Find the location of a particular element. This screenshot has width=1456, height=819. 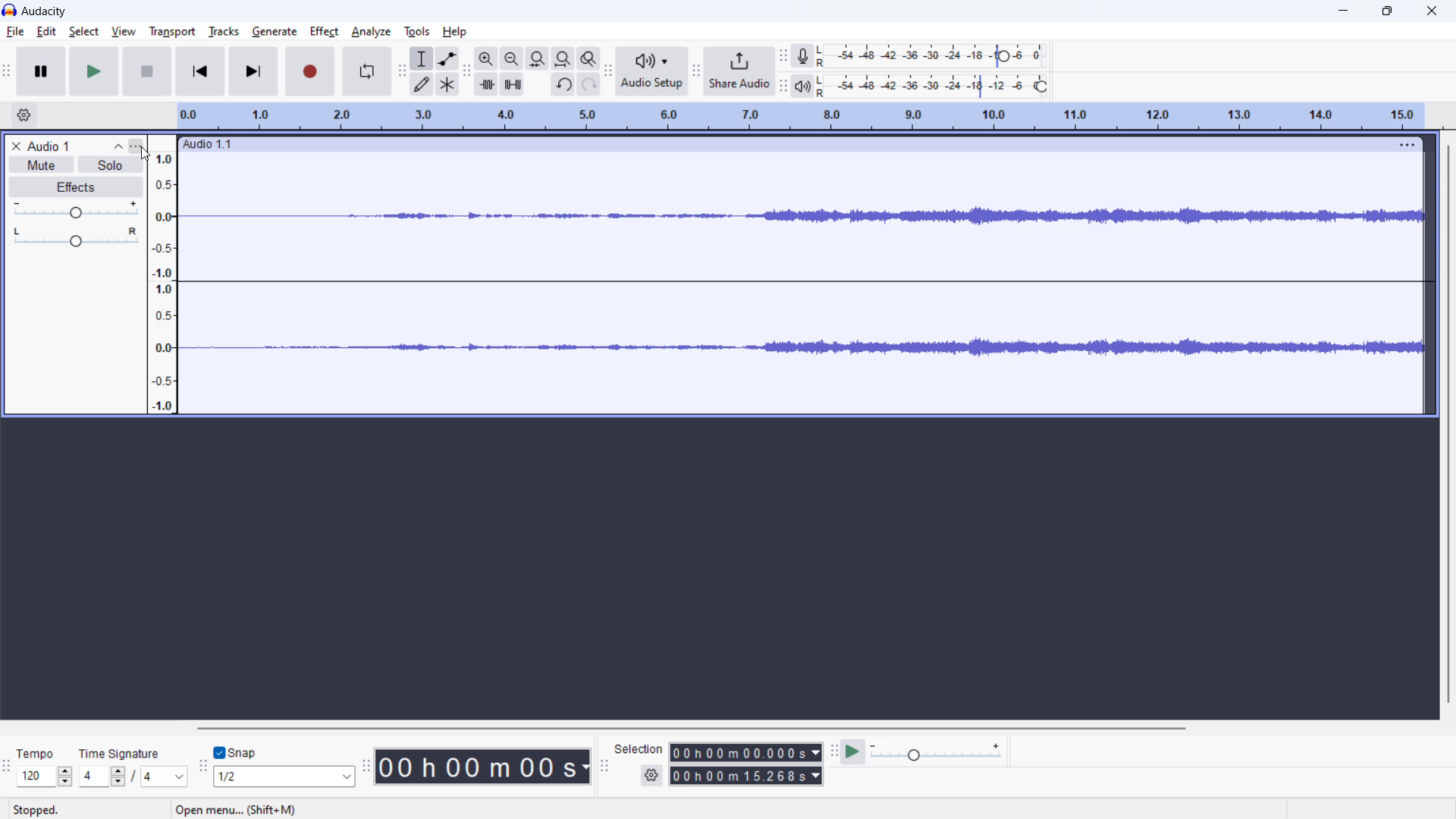

timeline settings is located at coordinates (24, 115).